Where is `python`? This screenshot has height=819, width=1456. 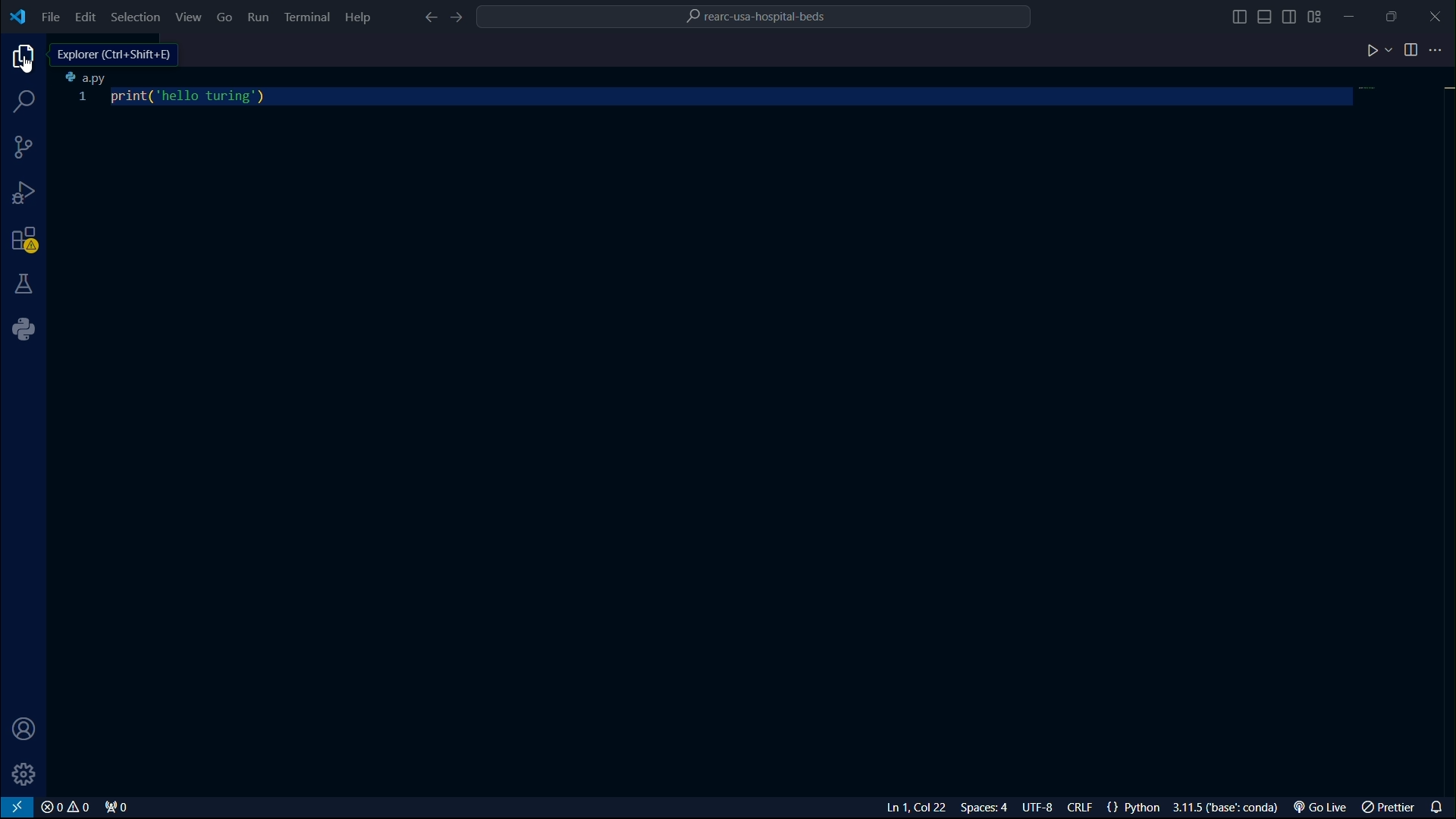 python is located at coordinates (24, 331).